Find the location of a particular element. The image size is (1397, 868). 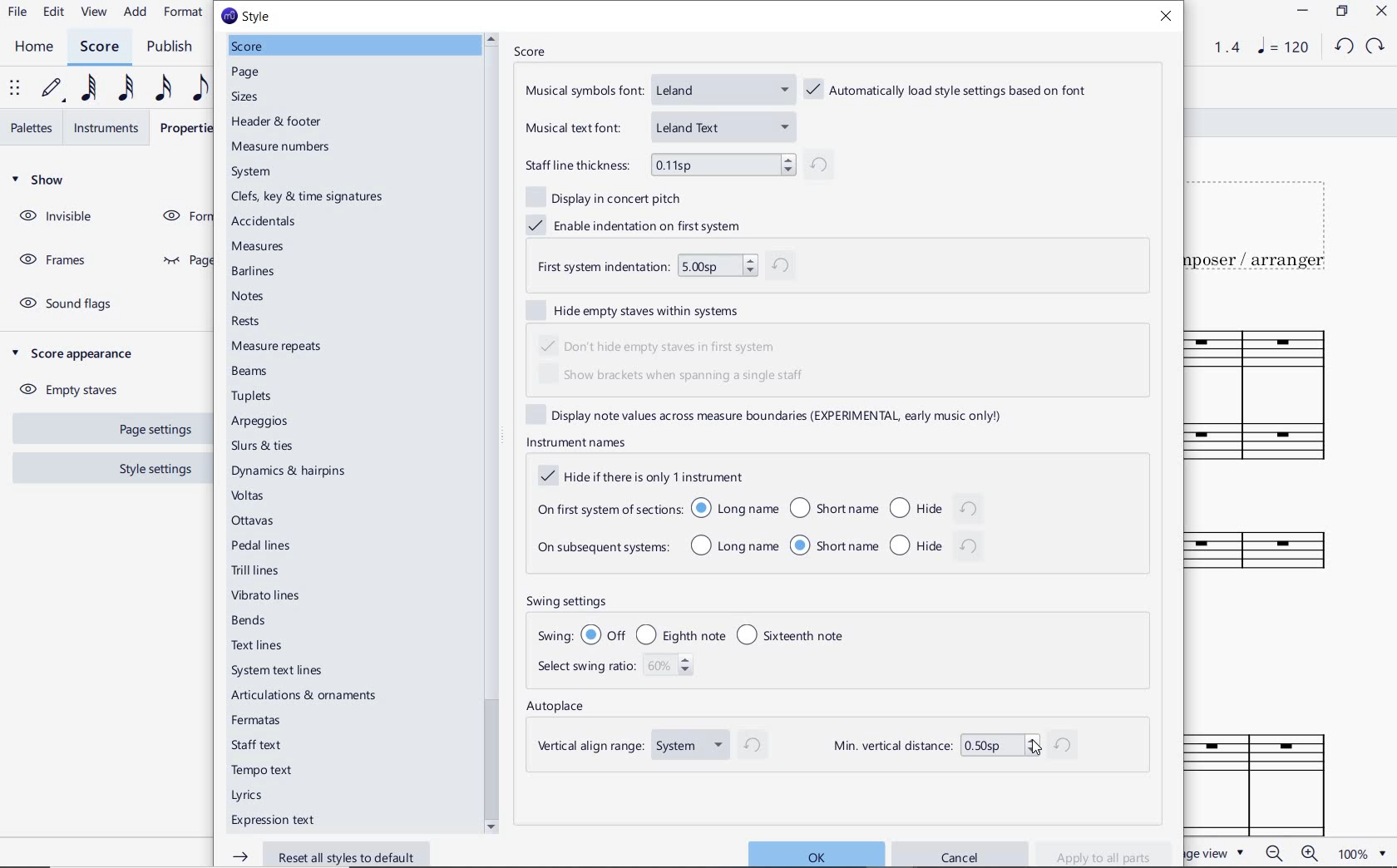

text lines is located at coordinates (259, 646).